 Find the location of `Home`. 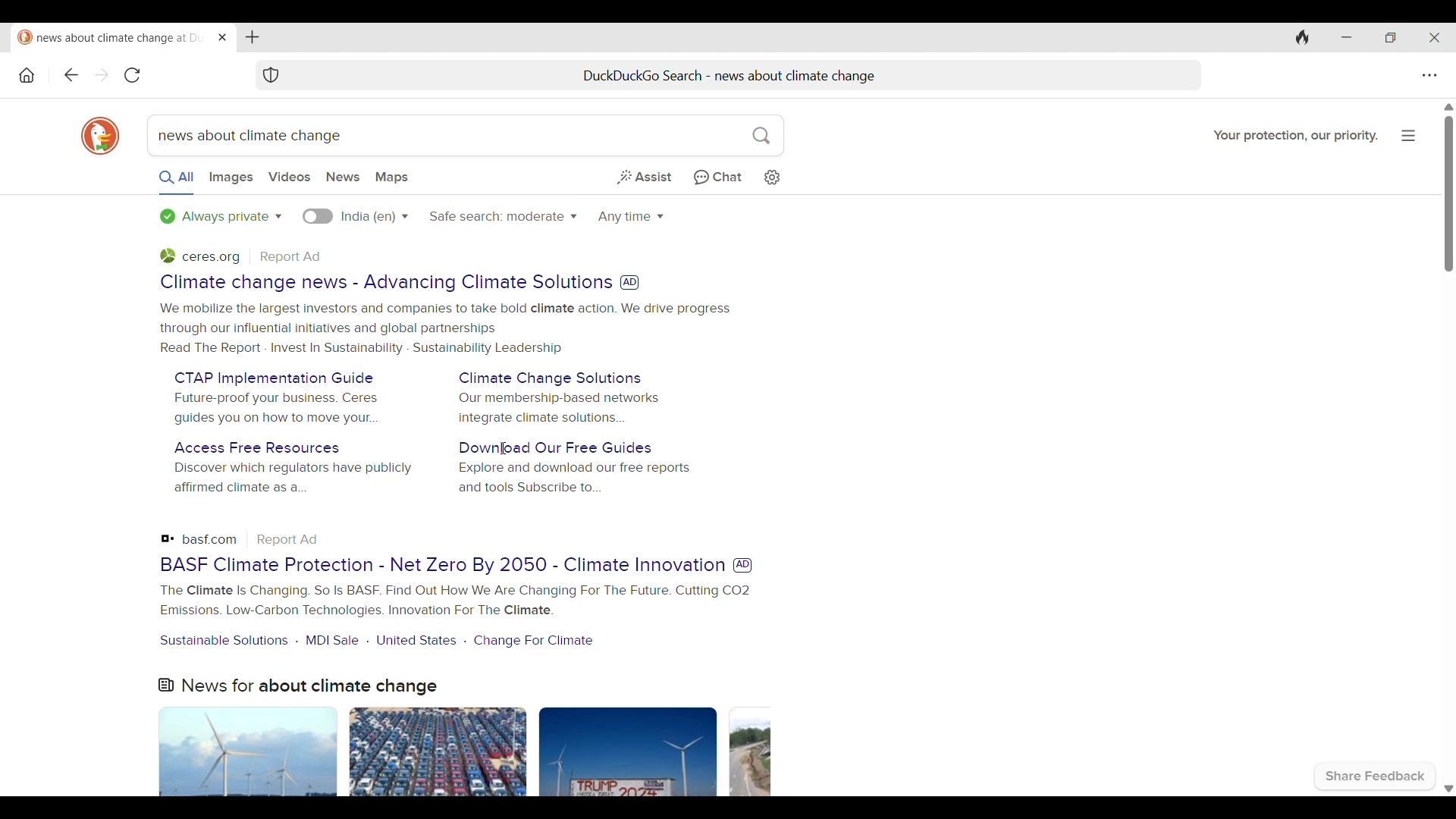

Home is located at coordinates (27, 76).